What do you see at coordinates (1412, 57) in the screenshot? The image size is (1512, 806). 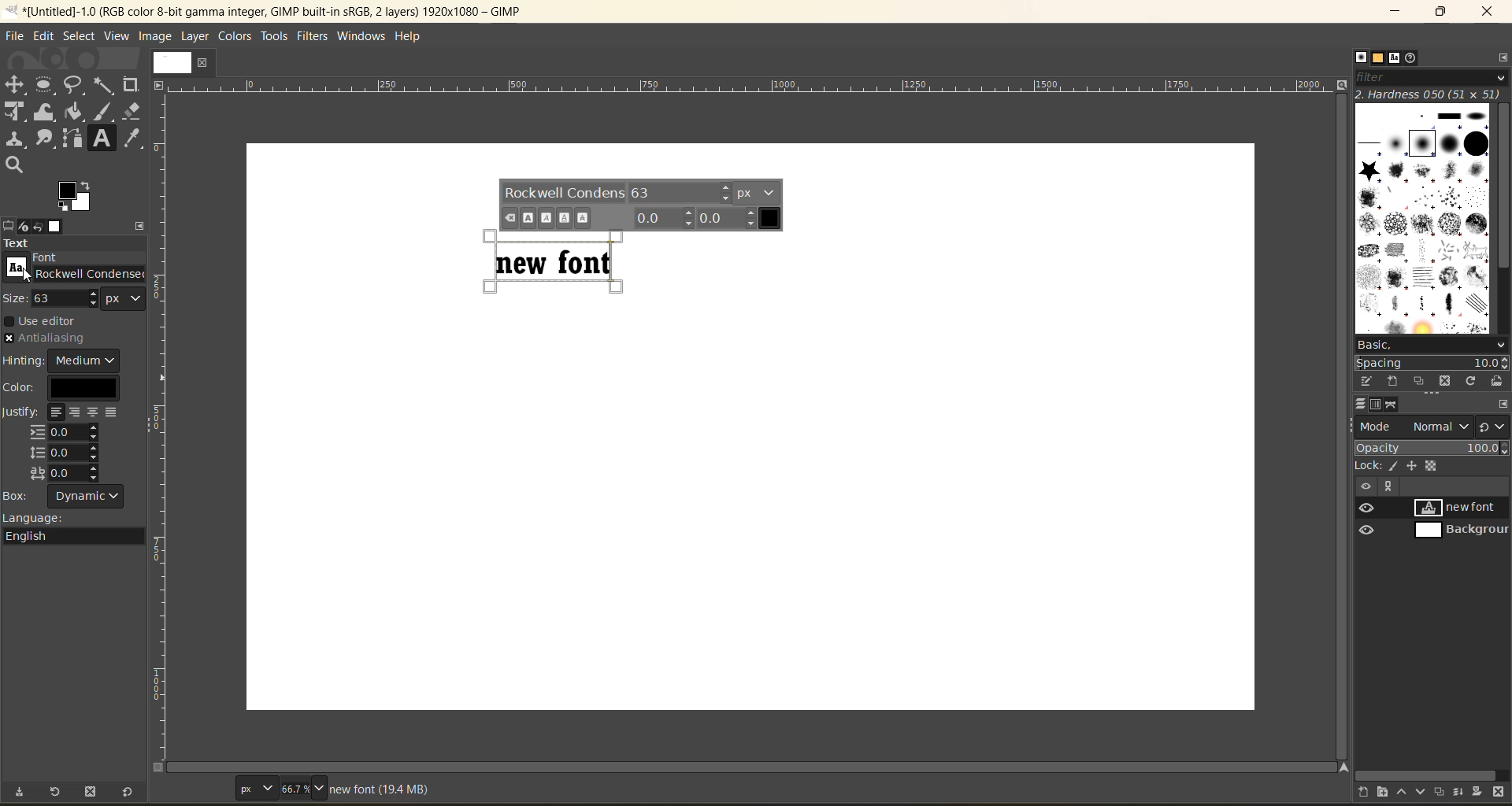 I see `document history` at bounding box center [1412, 57].